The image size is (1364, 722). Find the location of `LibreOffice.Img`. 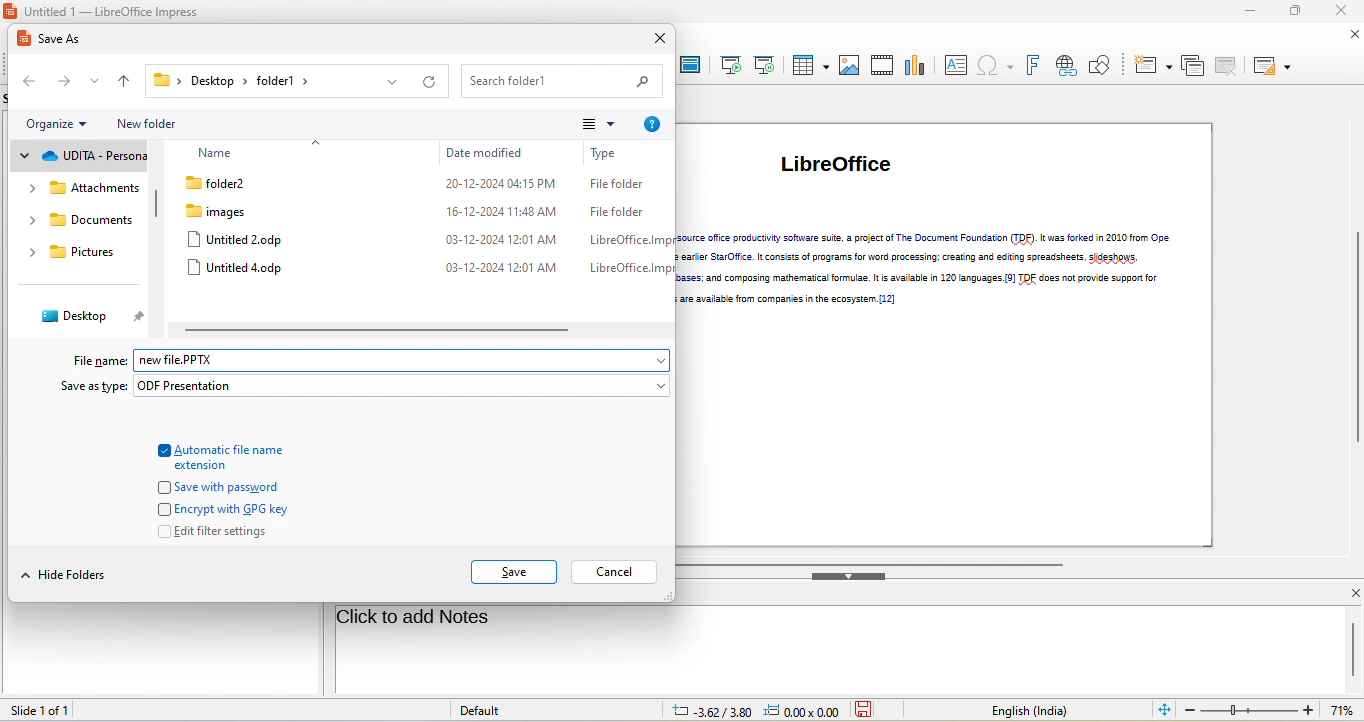

LibreOffice.Img is located at coordinates (622, 240).